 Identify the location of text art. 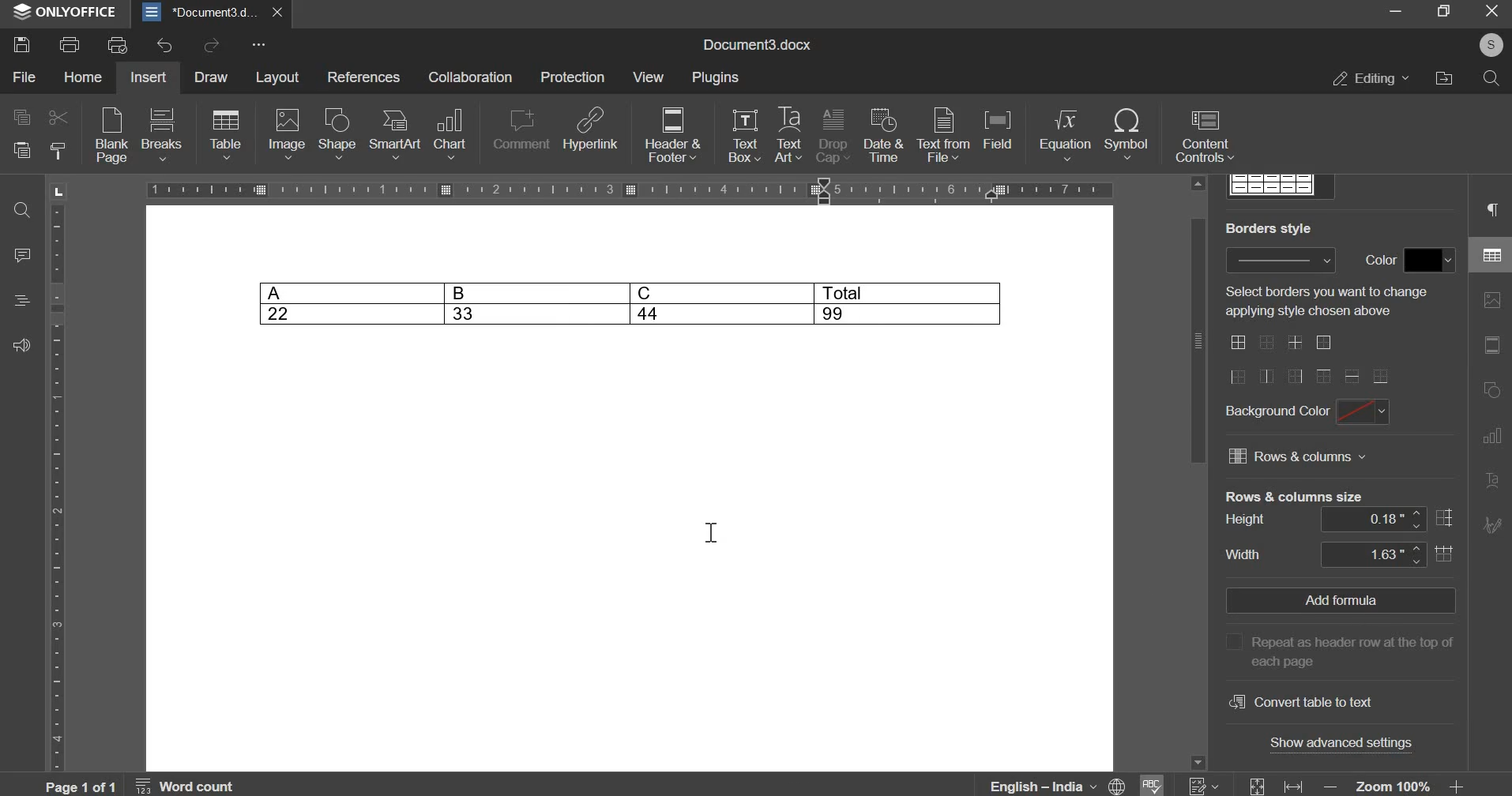
(788, 135).